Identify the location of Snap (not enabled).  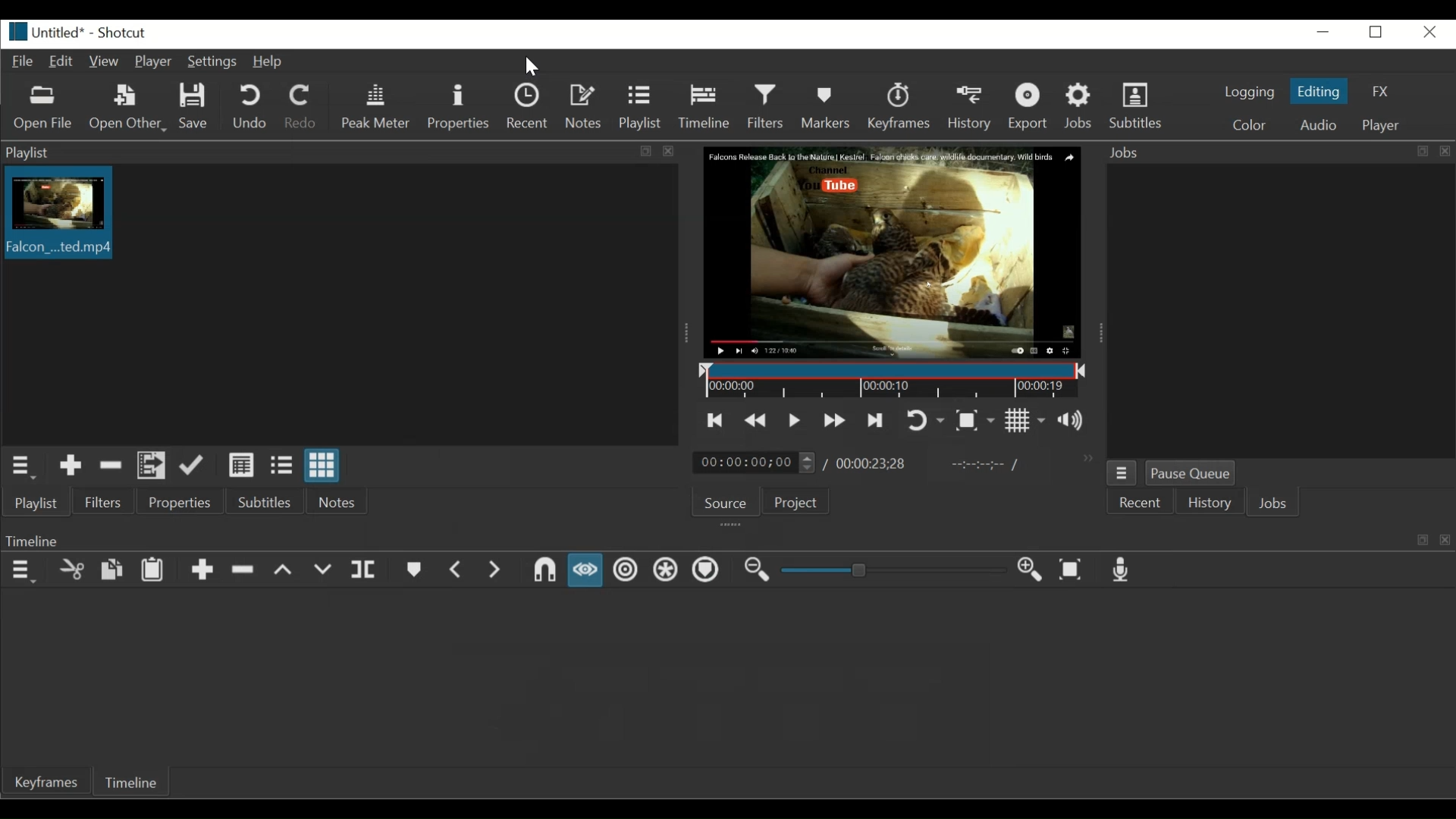
(542, 570).